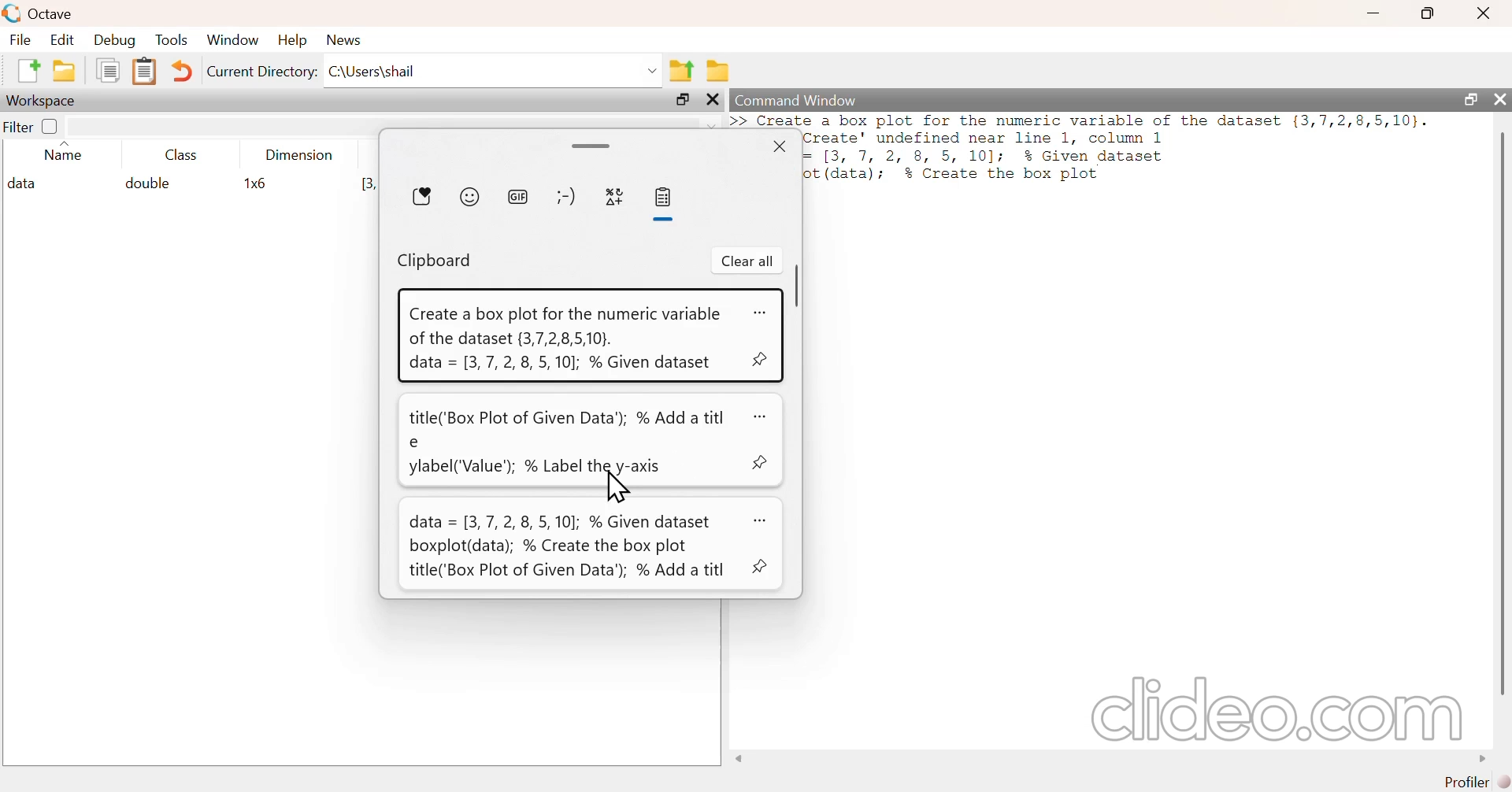 The height and width of the screenshot is (792, 1512). I want to click on expand/drag, so click(594, 147).